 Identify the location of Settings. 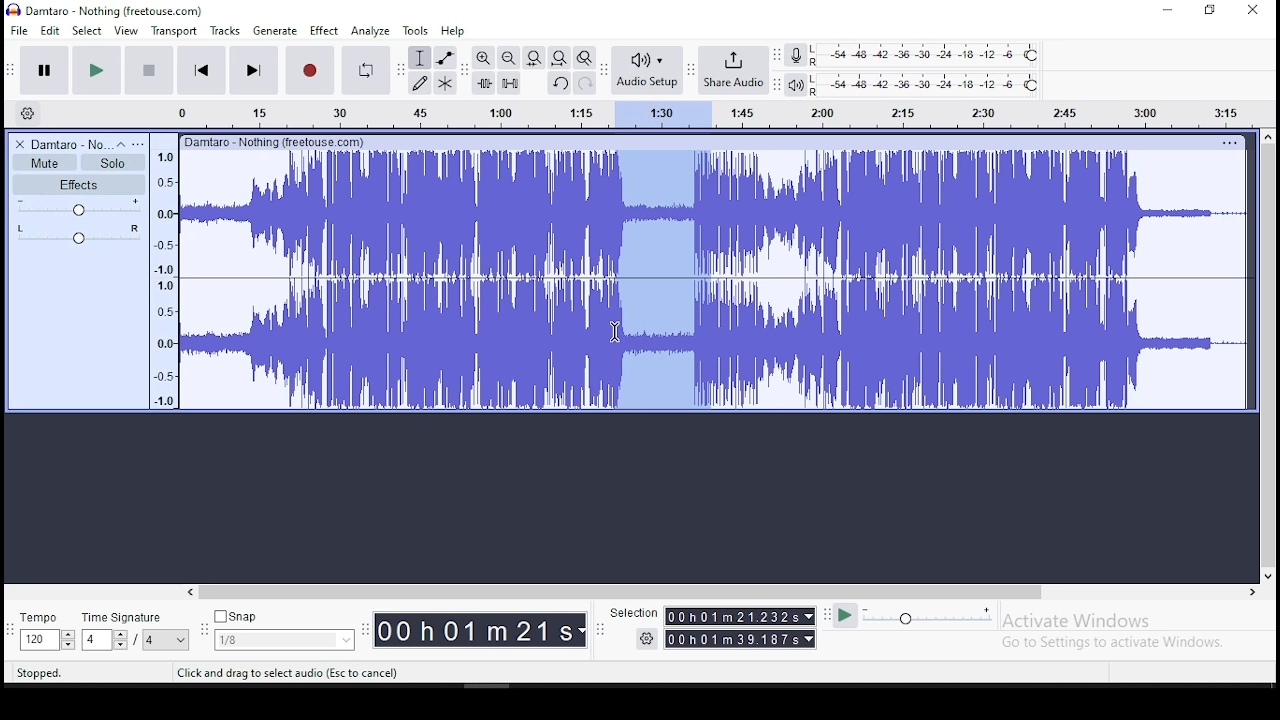
(648, 638).